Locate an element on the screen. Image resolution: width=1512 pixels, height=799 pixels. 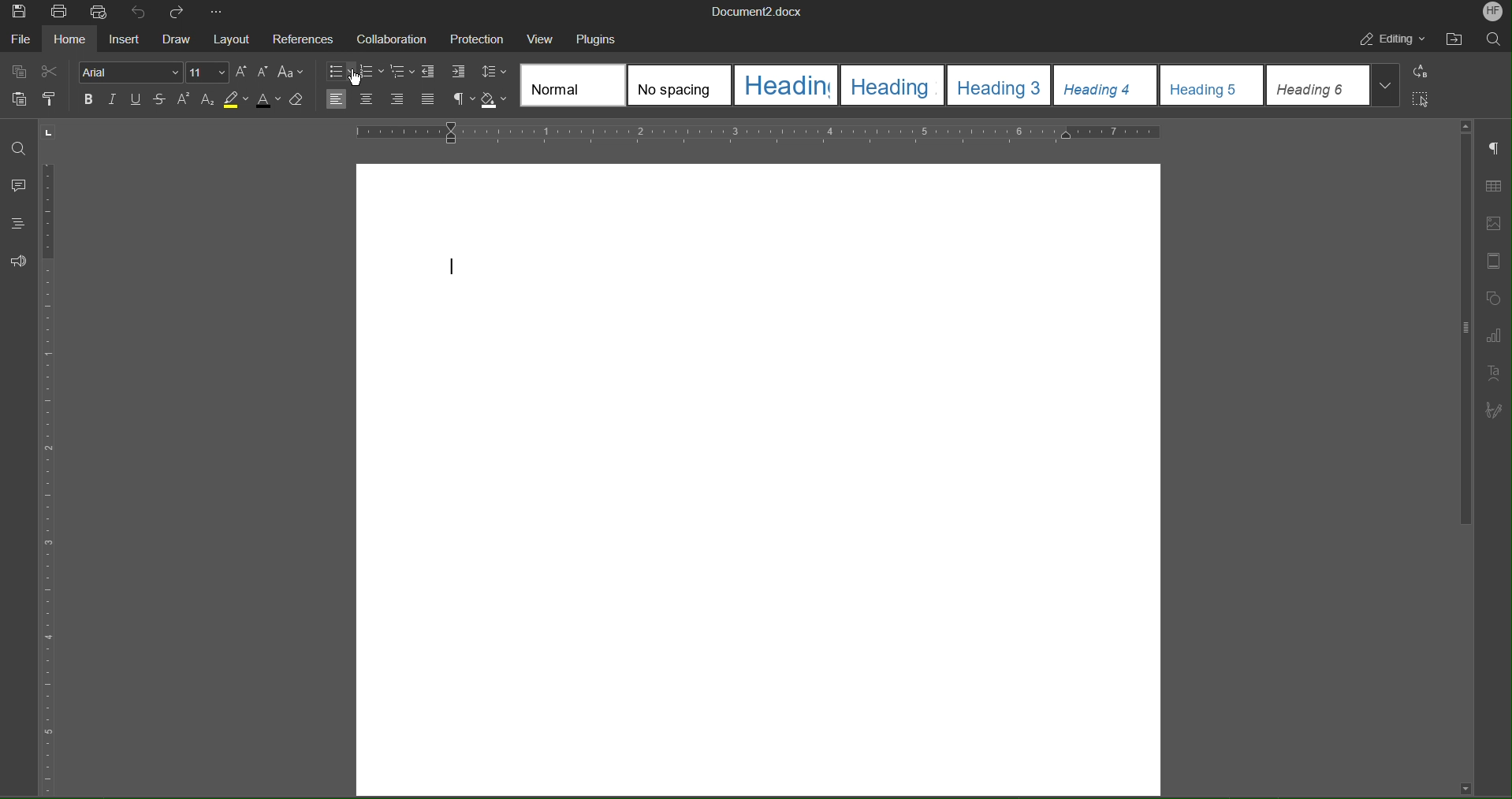
Underline is located at coordinates (137, 101).